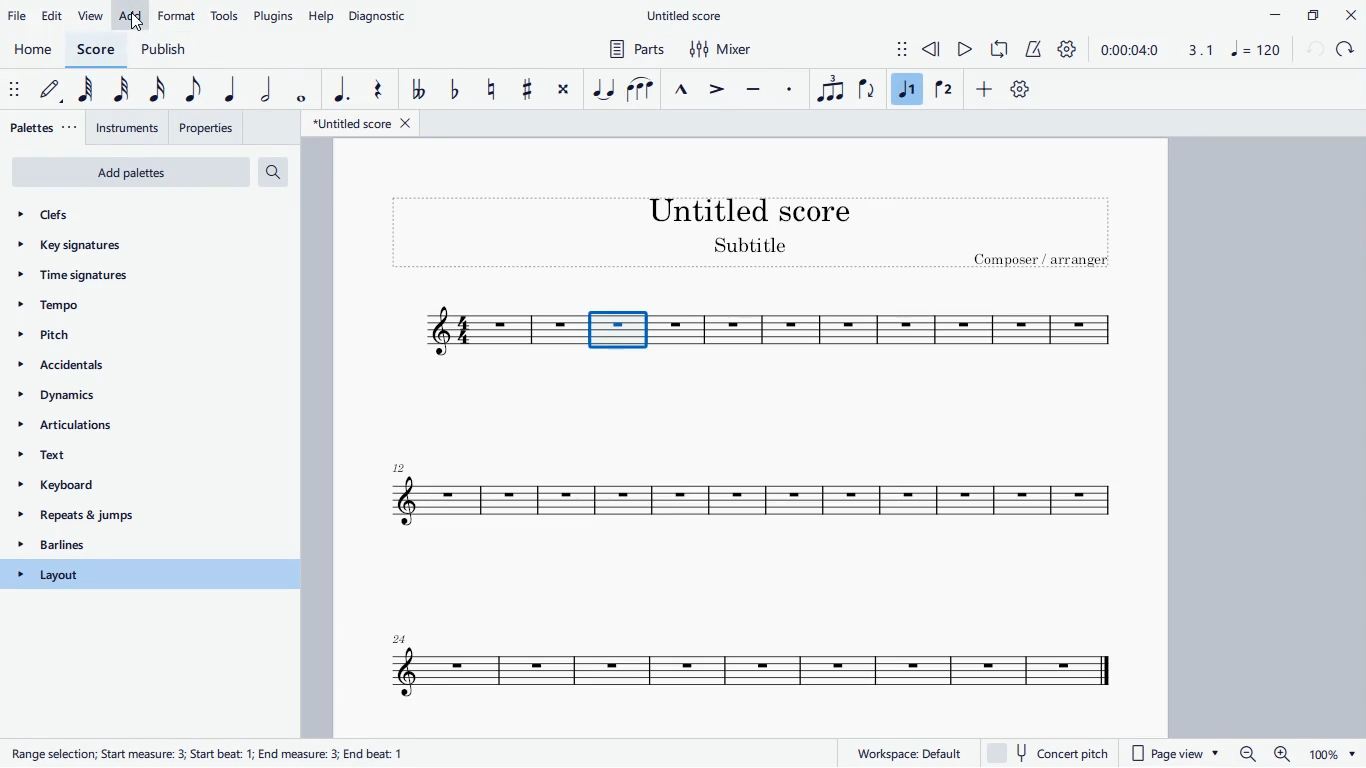 This screenshot has width=1366, height=768. I want to click on 16th note, so click(158, 90).